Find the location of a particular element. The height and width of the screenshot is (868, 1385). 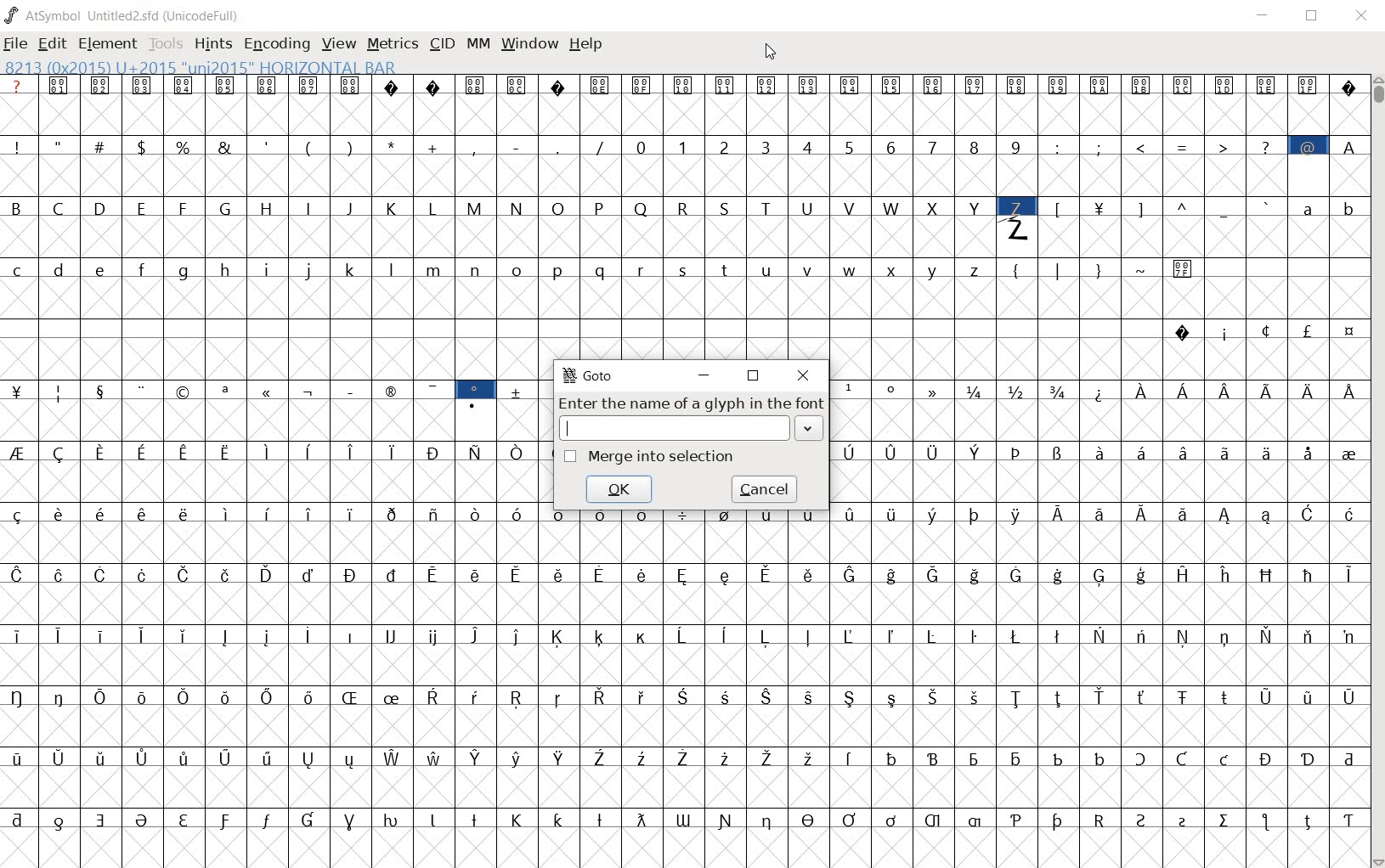

HELP is located at coordinates (588, 43).